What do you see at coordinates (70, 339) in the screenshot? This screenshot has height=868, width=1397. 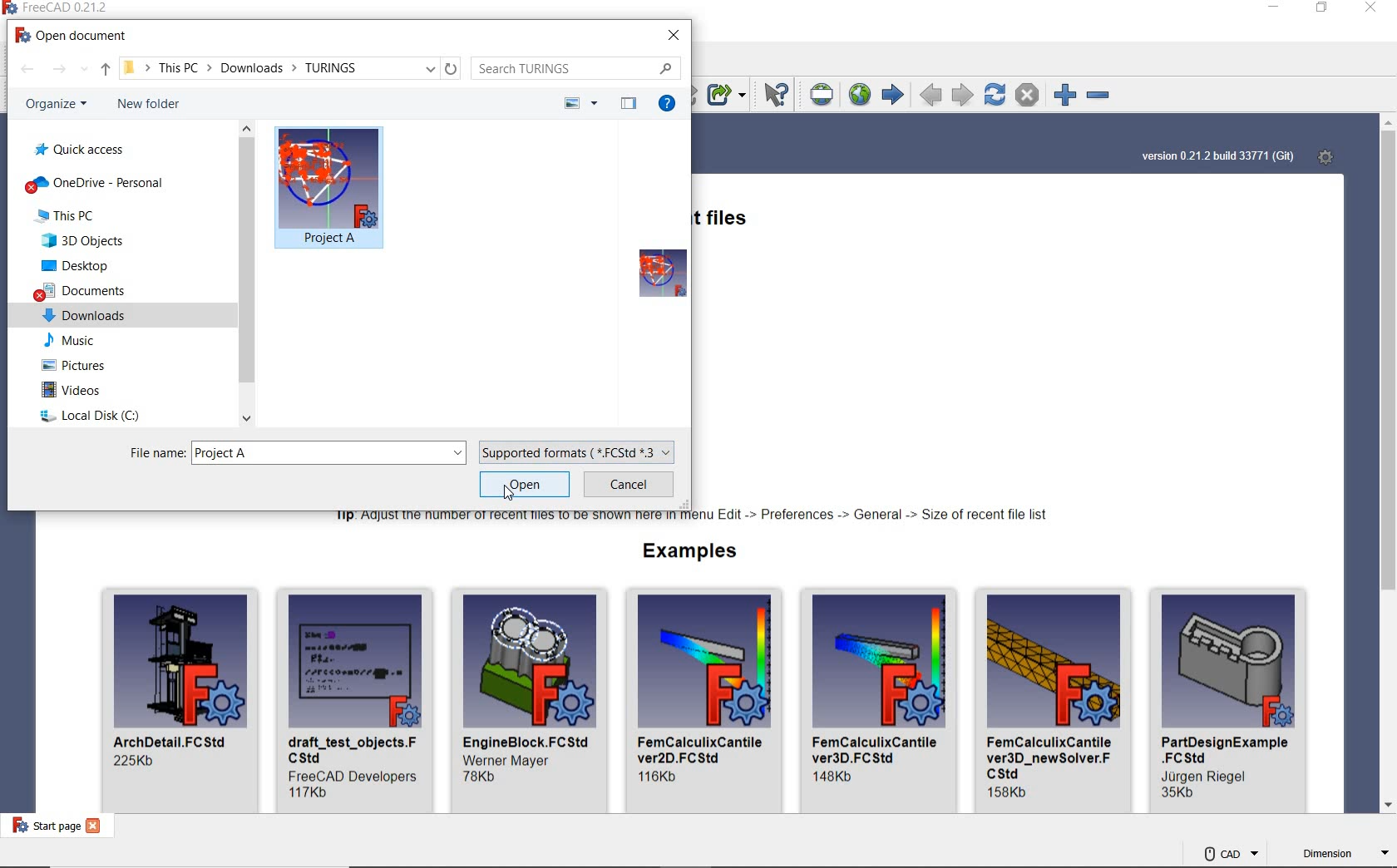 I see `music` at bounding box center [70, 339].